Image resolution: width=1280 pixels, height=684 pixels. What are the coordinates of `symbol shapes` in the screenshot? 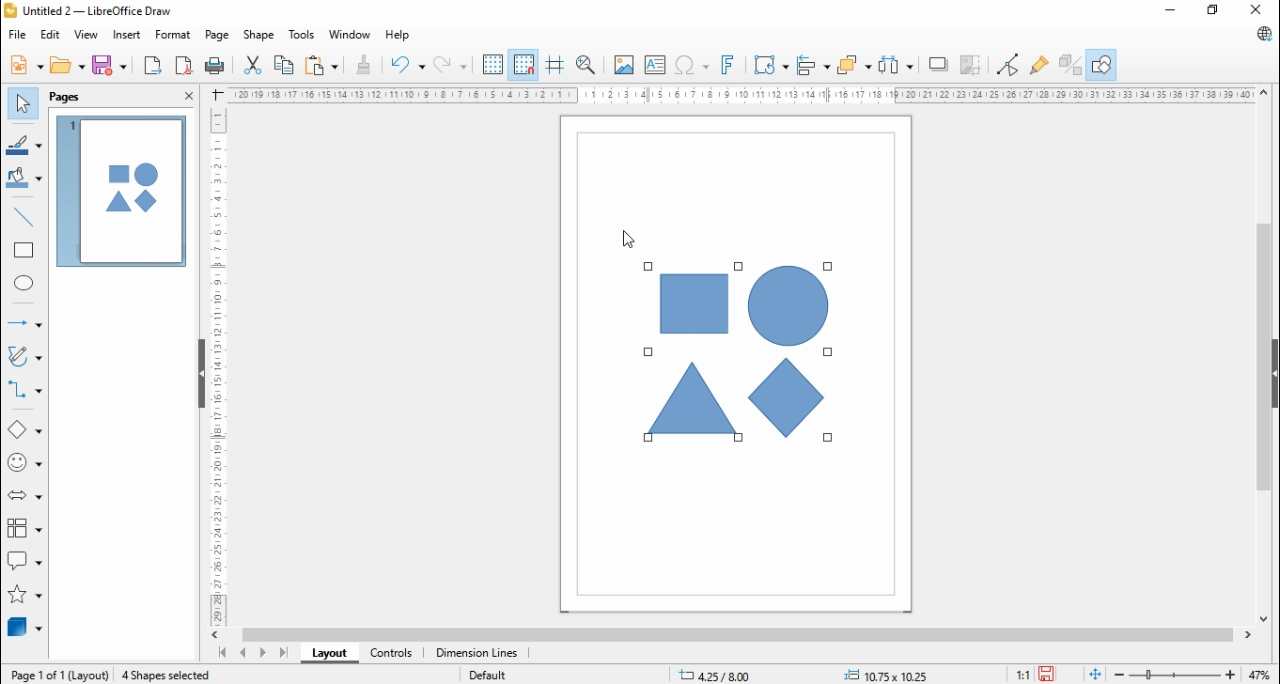 It's located at (27, 462).